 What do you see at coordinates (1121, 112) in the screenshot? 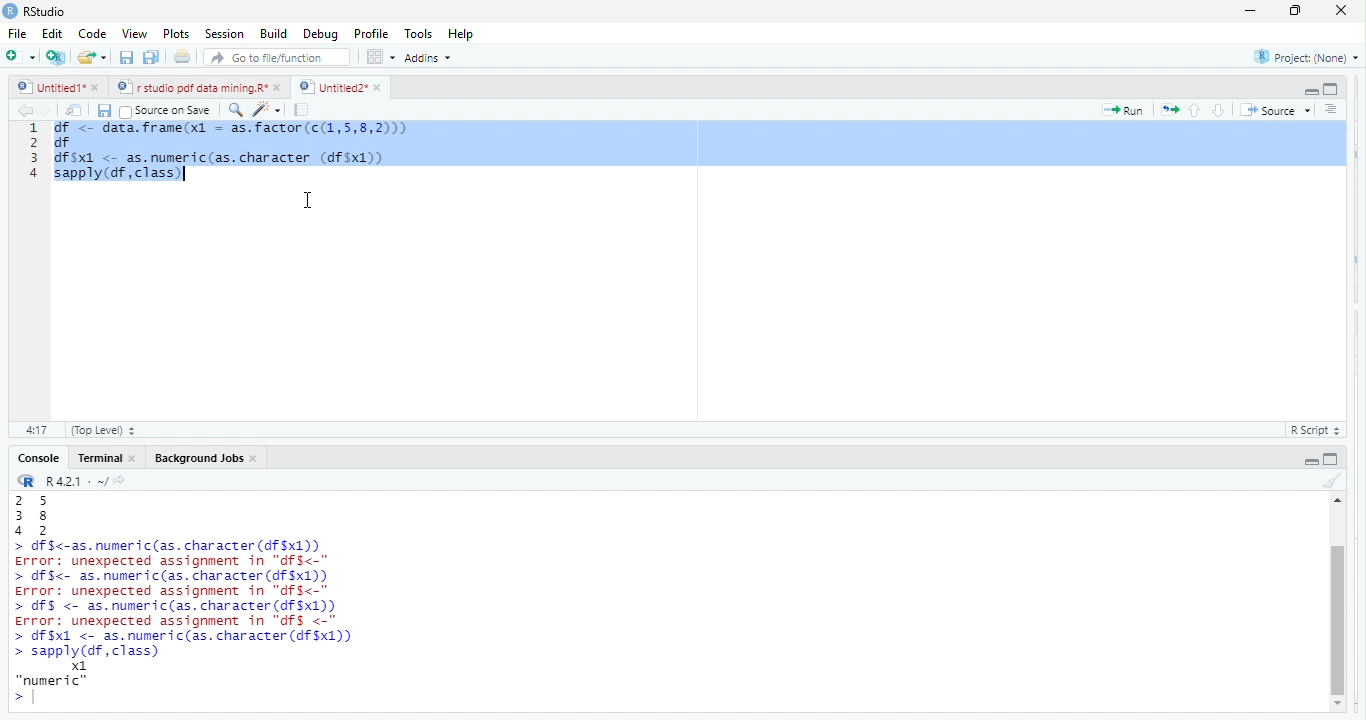
I see `Run` at bounding box center [1121, 112].